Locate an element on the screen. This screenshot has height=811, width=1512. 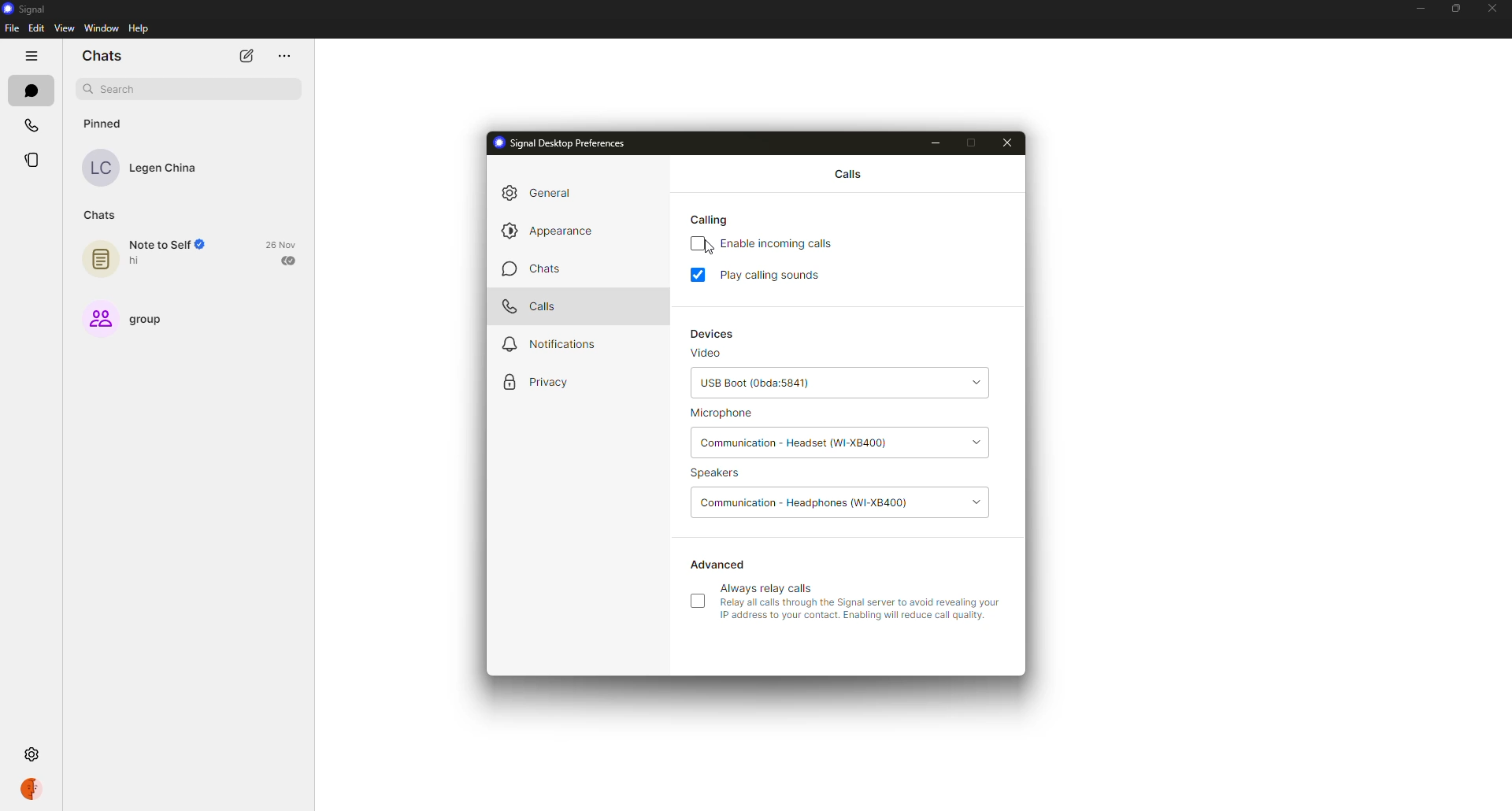
edit is located at coordinates (36, 28).